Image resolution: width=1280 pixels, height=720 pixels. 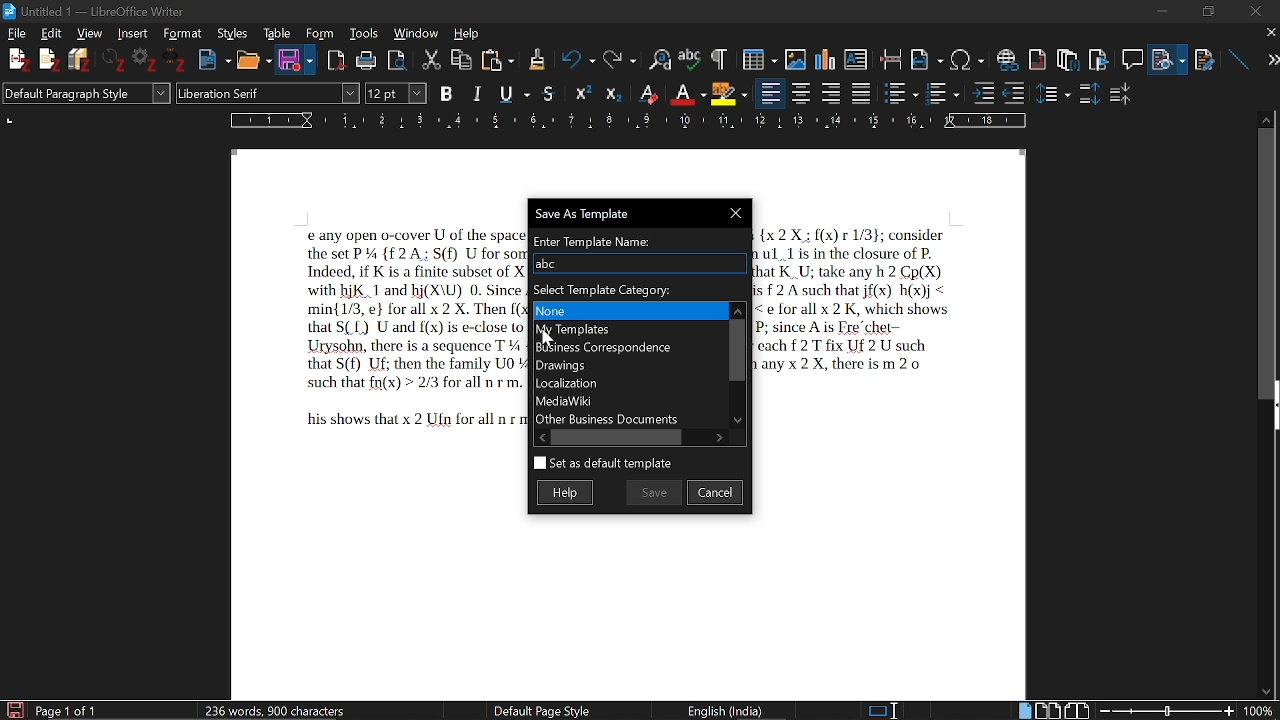 What do you see at coordinates (1019, 93) in the screenshot?
I see `outline format options` at bounding box center [1019, 93].